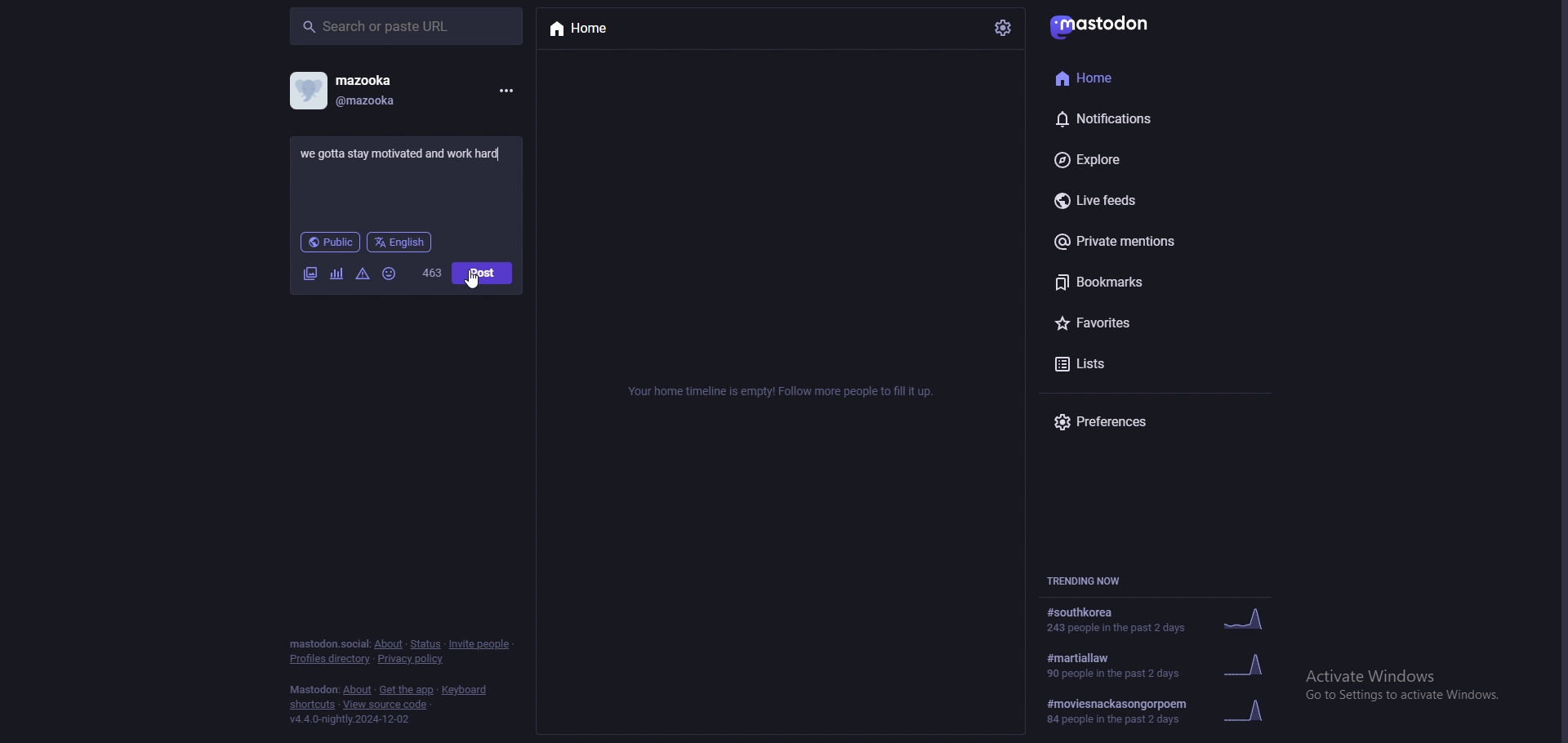 This screenshot has width=1568, height=743. I want to click on menu, so click(506, 91).